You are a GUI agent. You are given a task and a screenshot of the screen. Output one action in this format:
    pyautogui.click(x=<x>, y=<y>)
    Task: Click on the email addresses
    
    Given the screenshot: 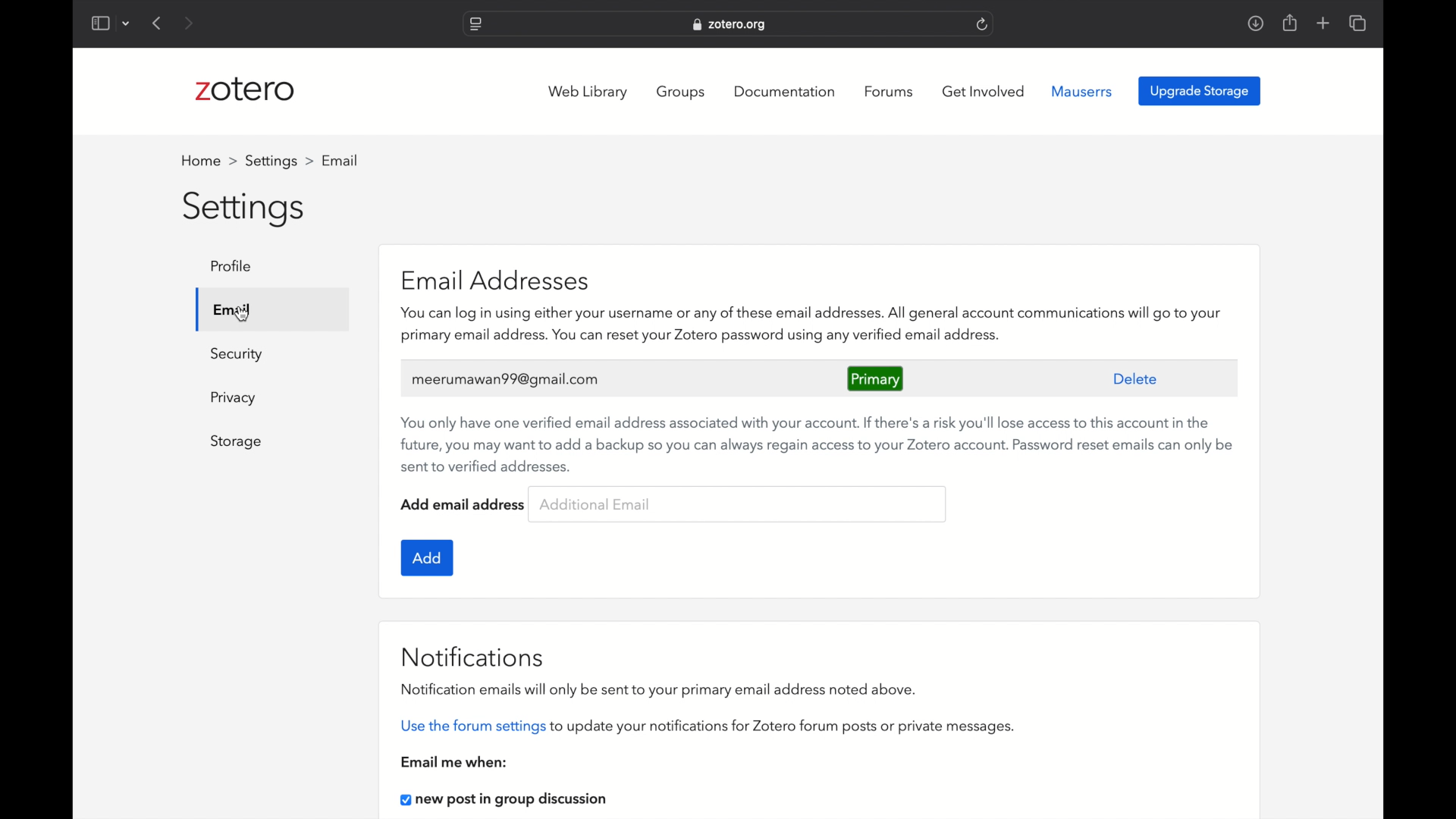 What is the action you would take?
    pyautogui.click(x=497, y=281)
    